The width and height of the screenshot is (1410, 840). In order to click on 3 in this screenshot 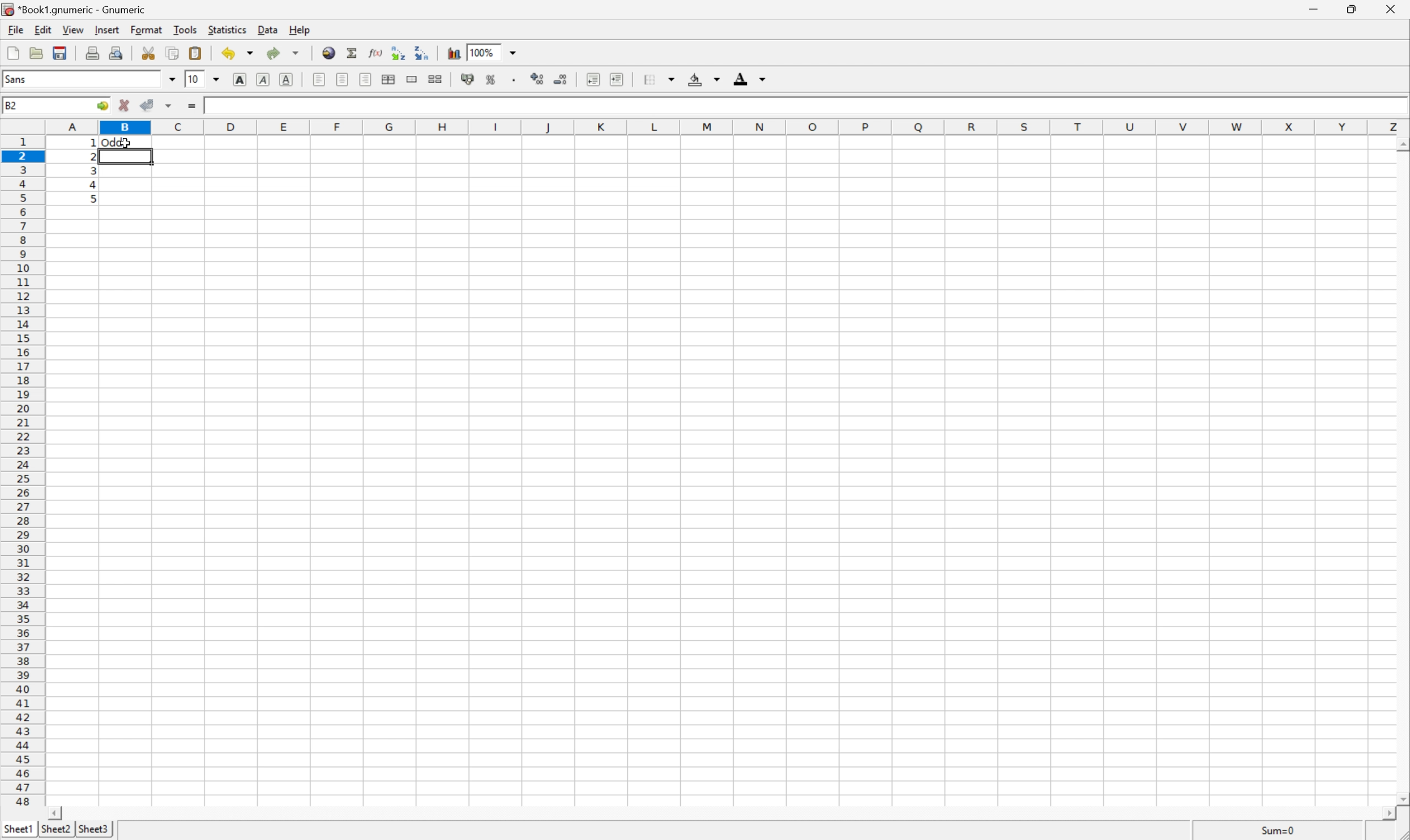, I will do `click(93, 170)`.